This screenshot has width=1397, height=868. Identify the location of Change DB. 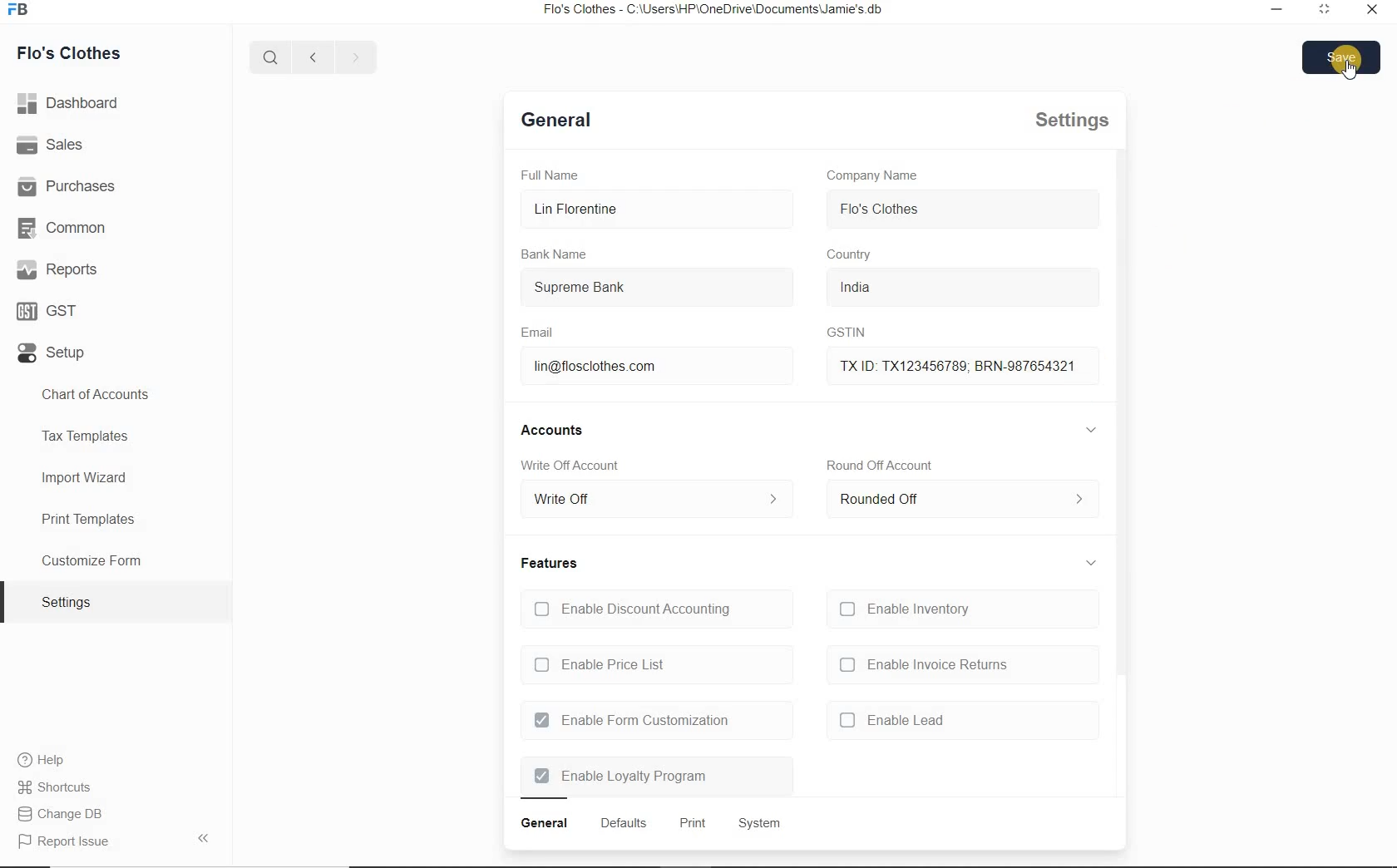
(66, 787).